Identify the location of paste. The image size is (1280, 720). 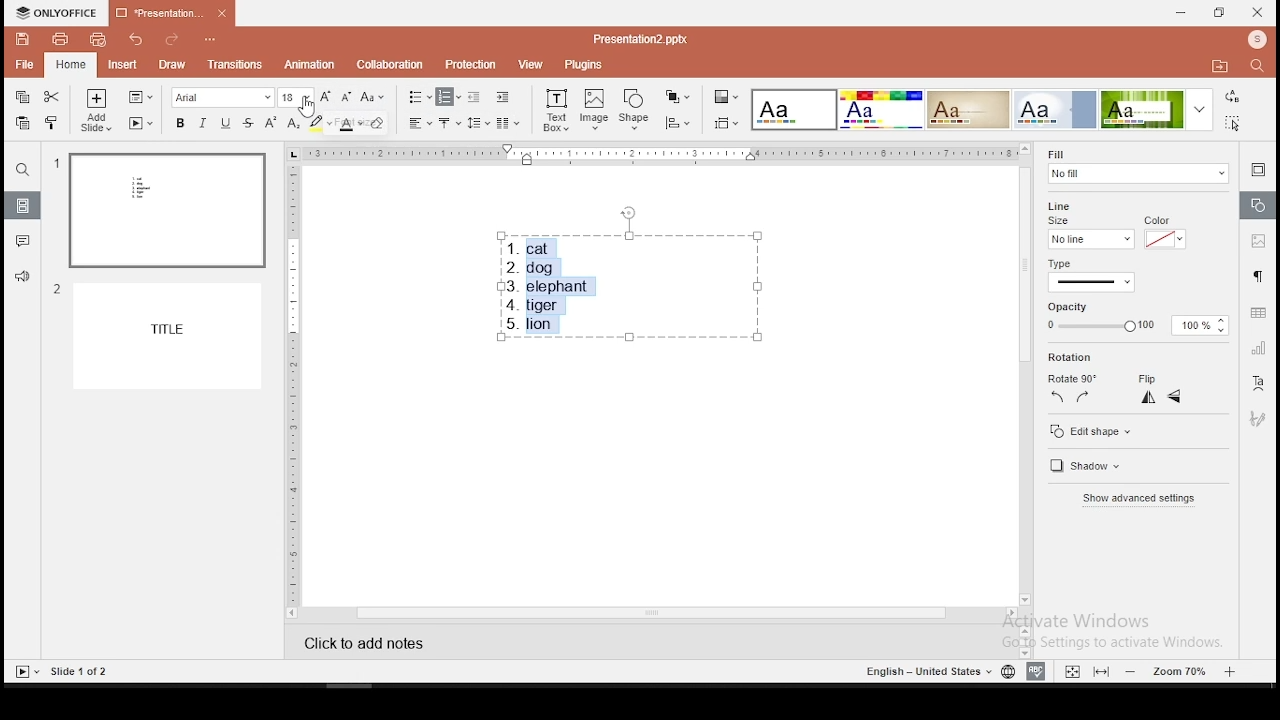
(22, 123).